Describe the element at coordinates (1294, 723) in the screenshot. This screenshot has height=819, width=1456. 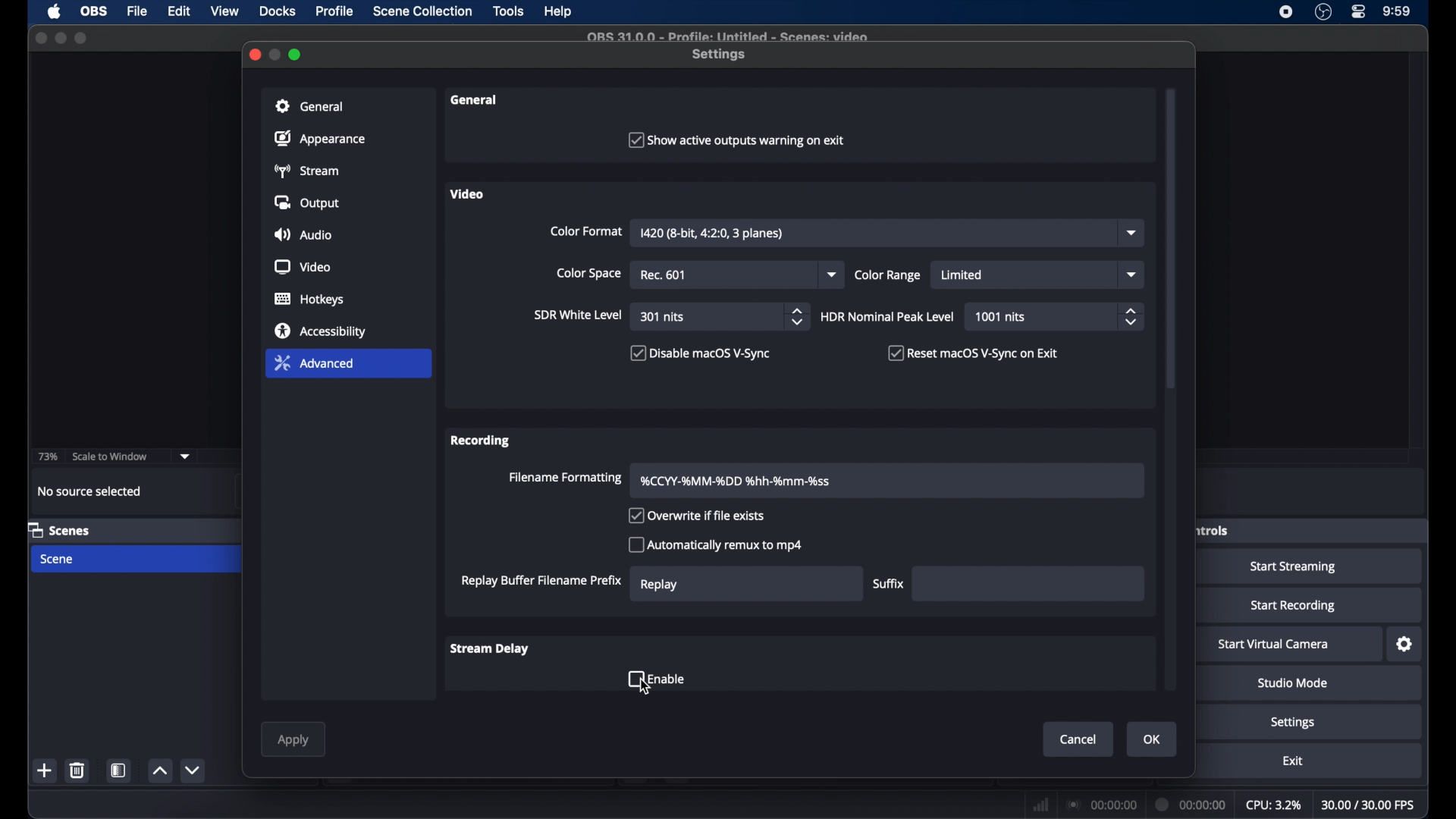
I see `settings` at that location.